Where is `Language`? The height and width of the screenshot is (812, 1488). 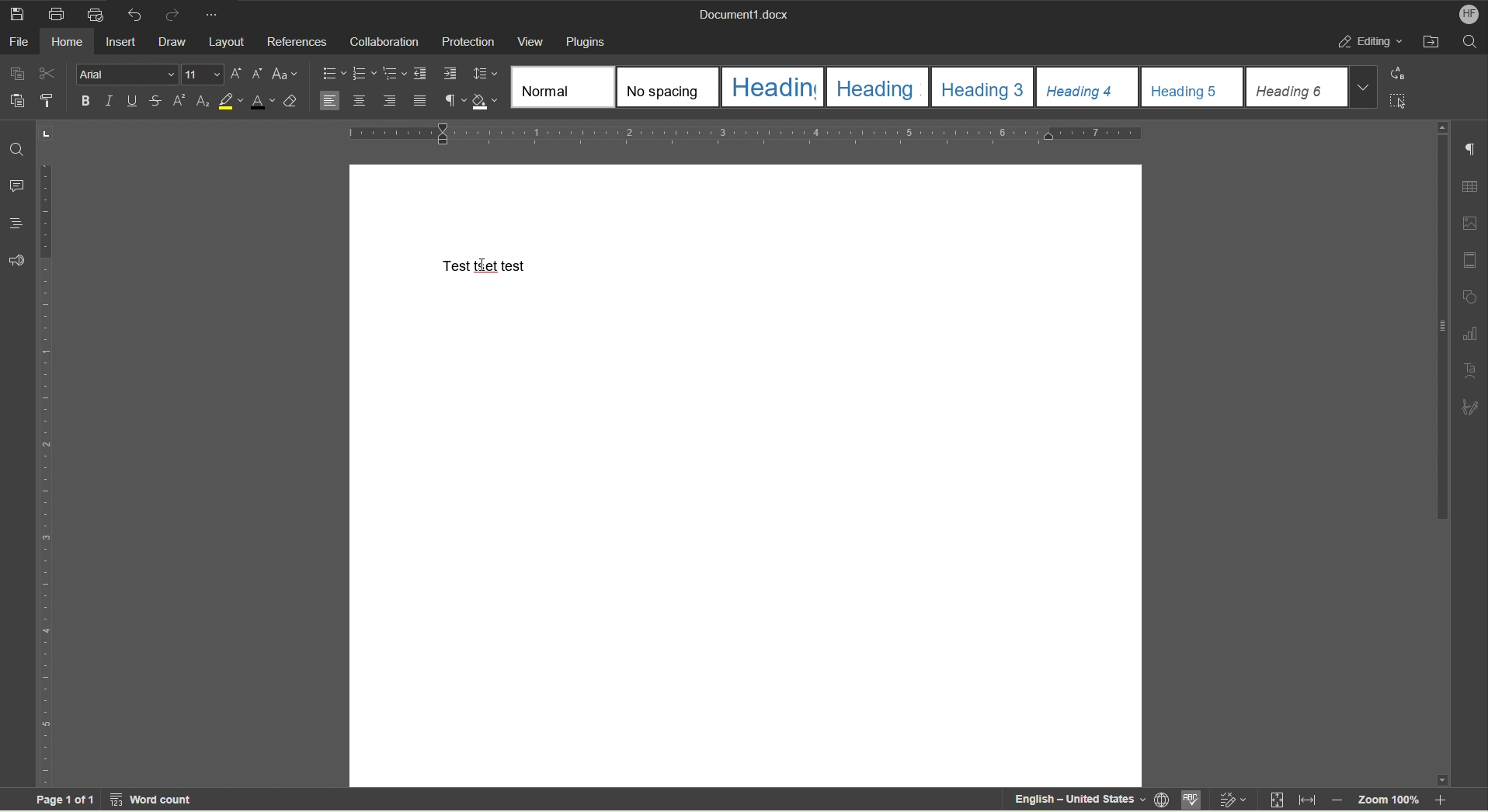
Language is located at coordinates (1164, 800).